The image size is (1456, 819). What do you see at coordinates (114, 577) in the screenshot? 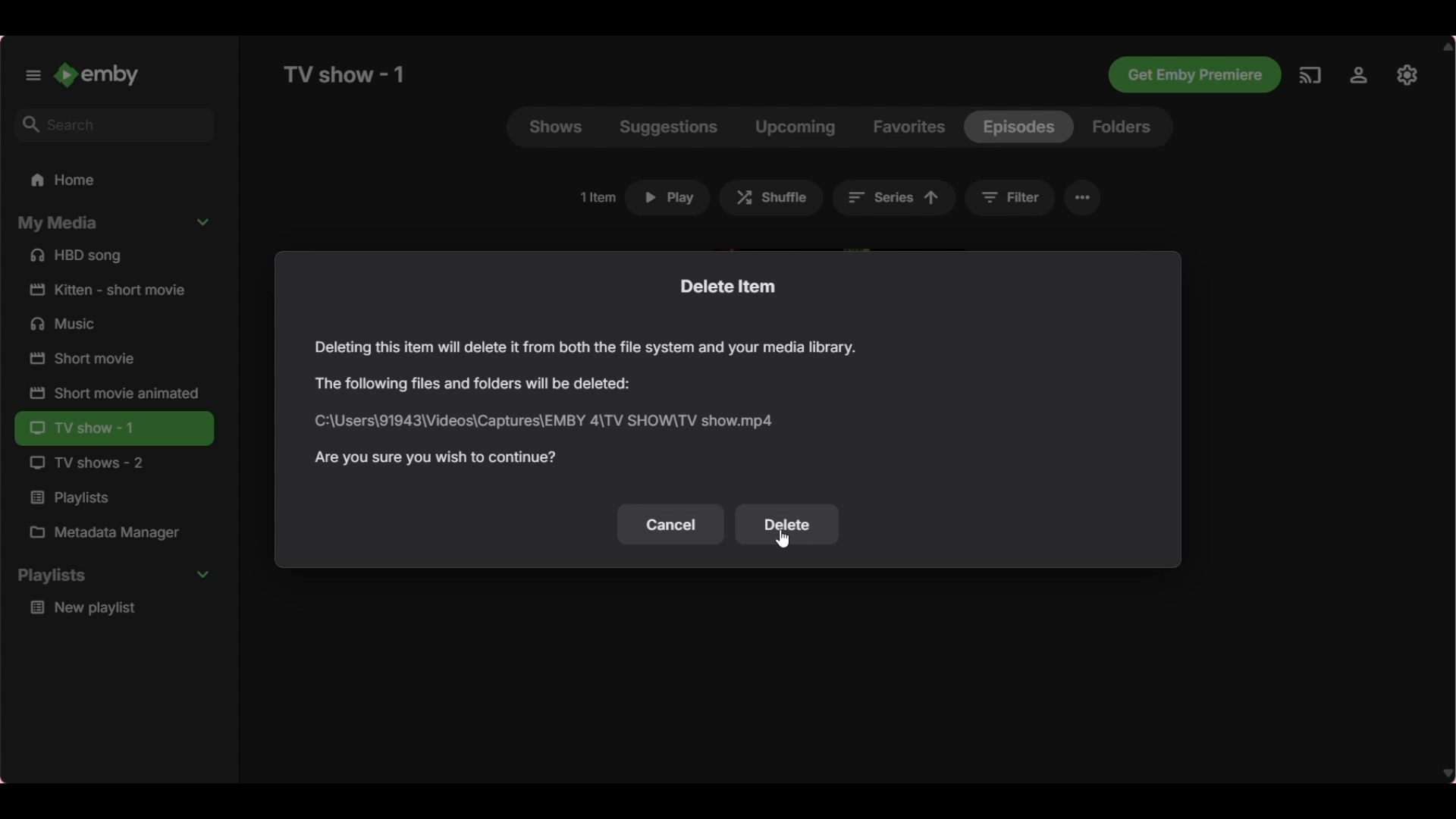
I see `Collapse Playlists` at bounding box center [114, 577].